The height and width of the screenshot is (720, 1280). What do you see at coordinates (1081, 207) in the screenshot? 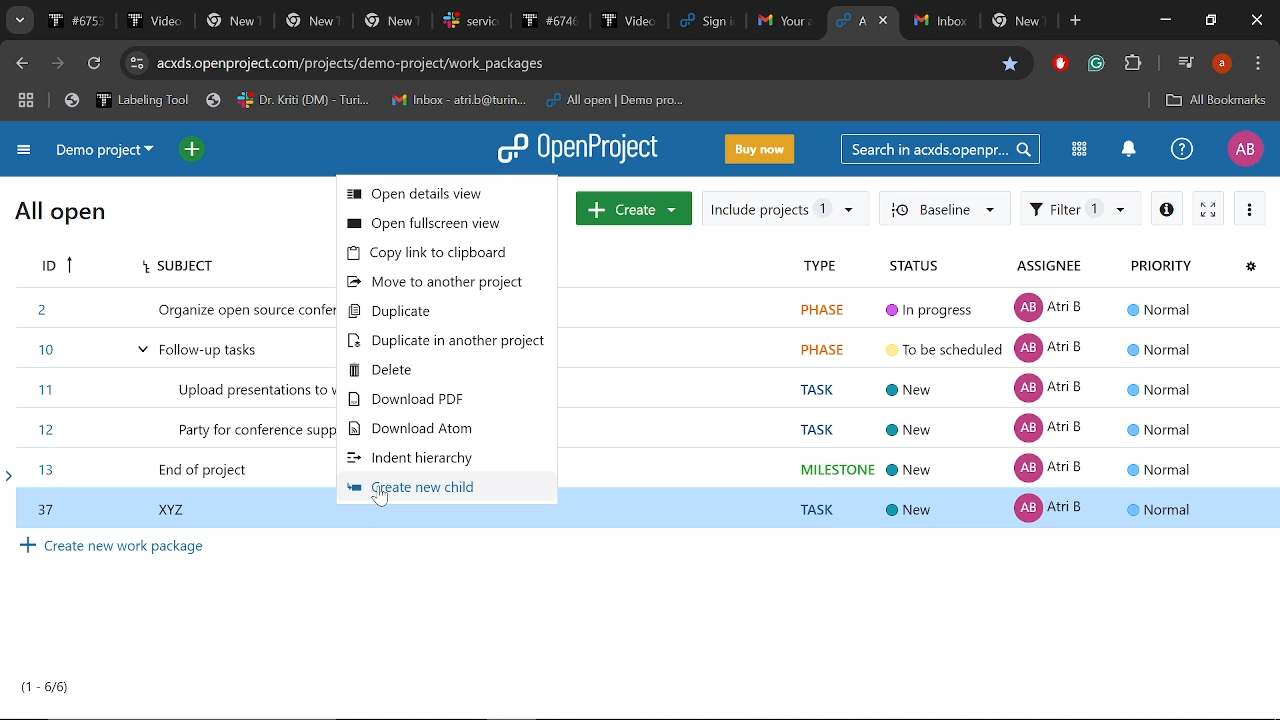
I see `Filter` at bounding box center [1081, 207].